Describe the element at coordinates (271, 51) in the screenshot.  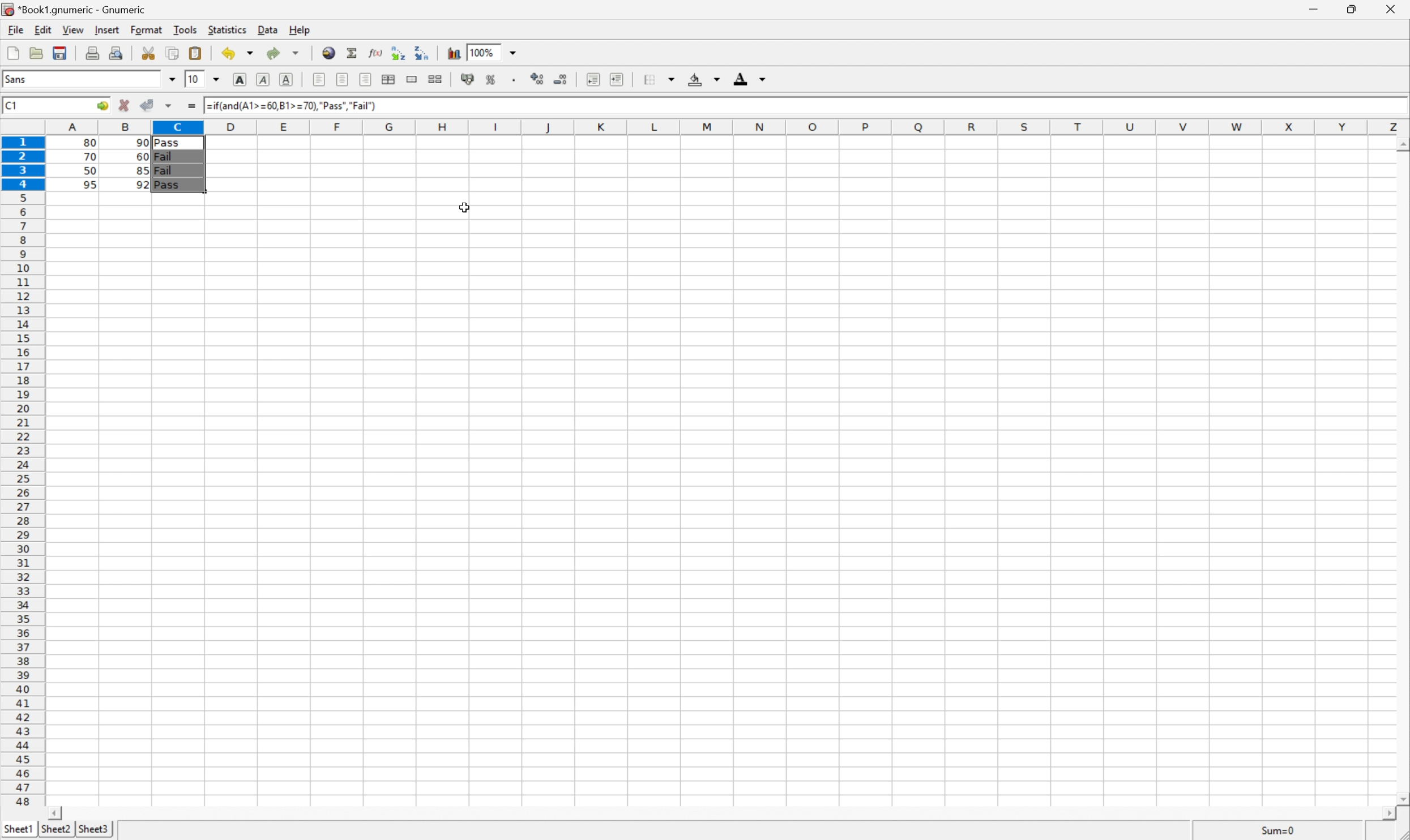
I see `Redo` at that location.